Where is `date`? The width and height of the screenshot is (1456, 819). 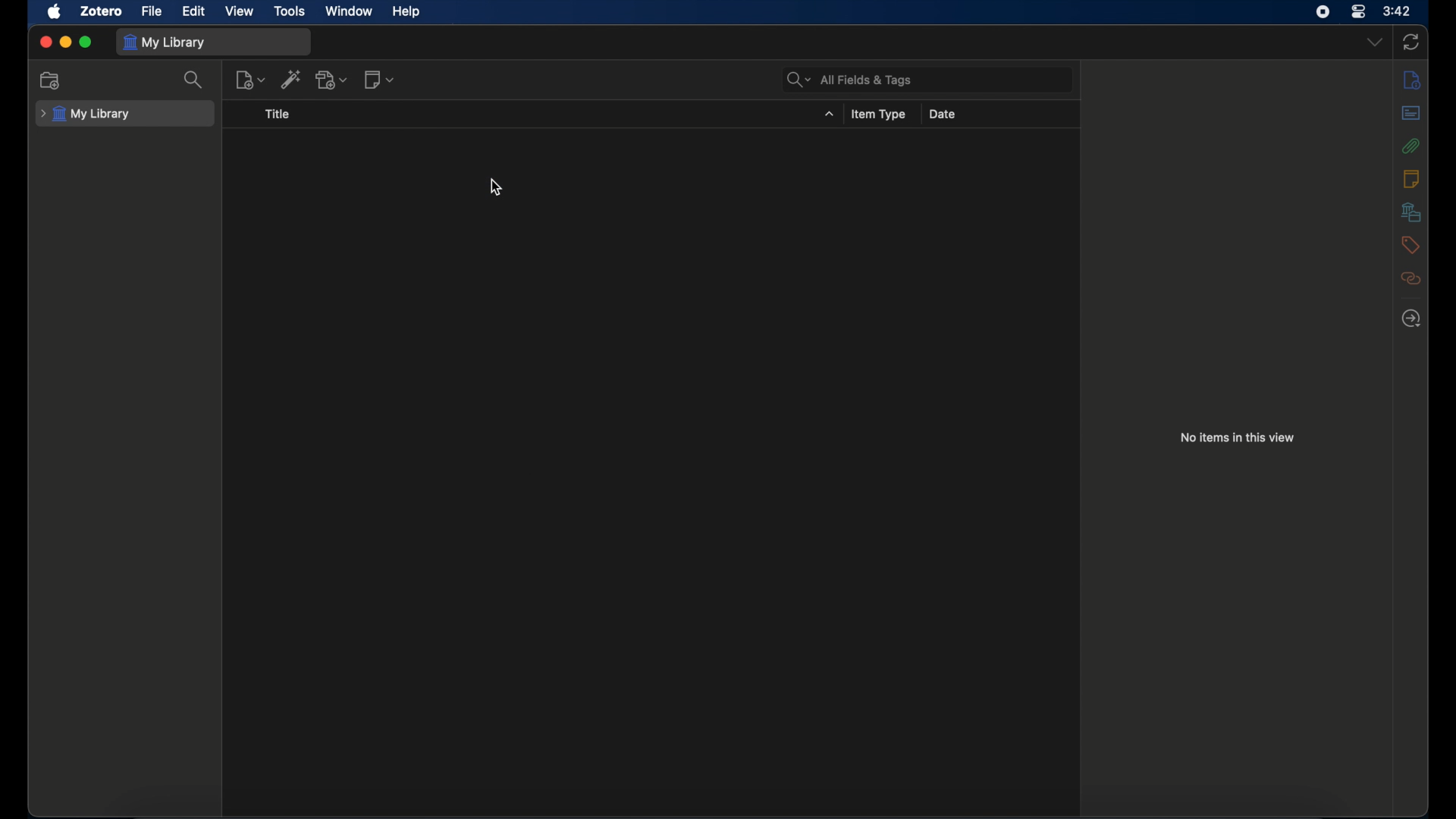
date is located at coordinates (943, 115).